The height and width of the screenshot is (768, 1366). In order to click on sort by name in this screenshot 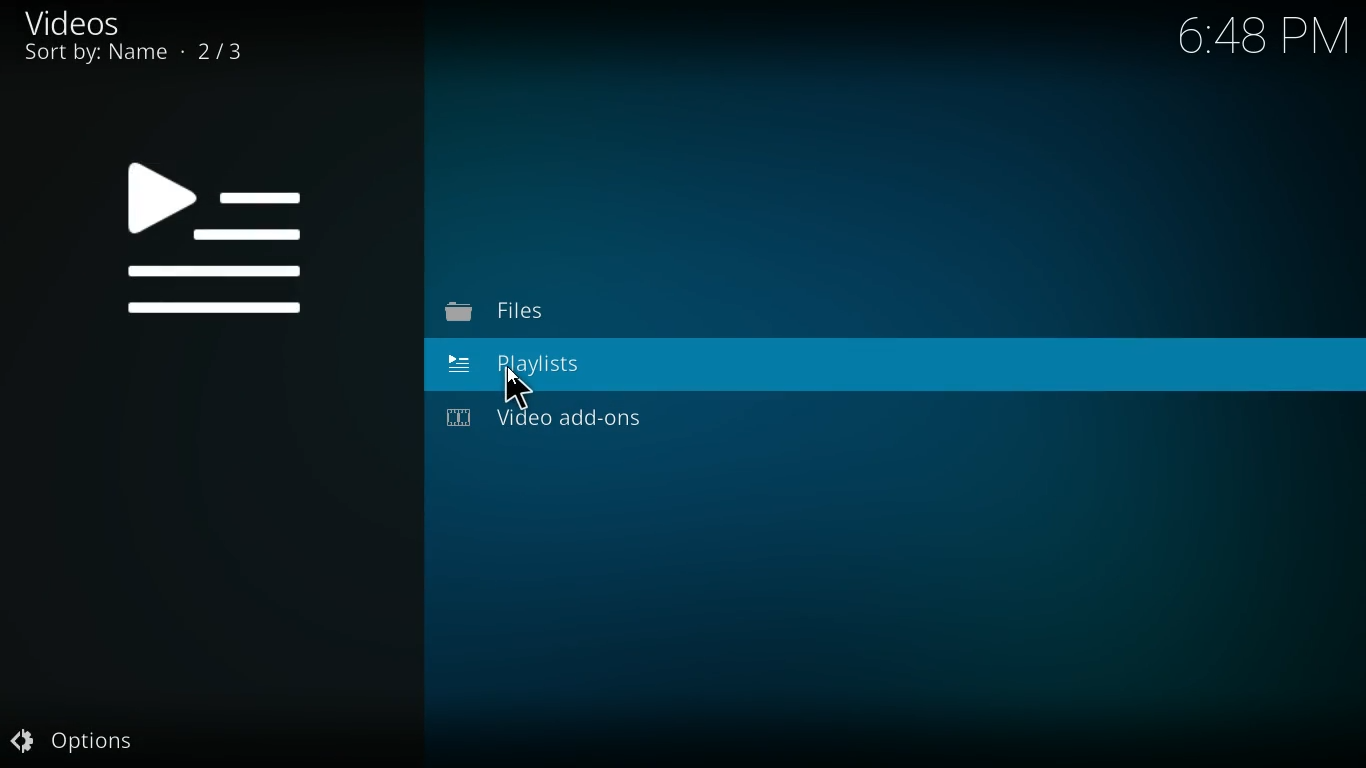, I will do `click(141, 55)`.